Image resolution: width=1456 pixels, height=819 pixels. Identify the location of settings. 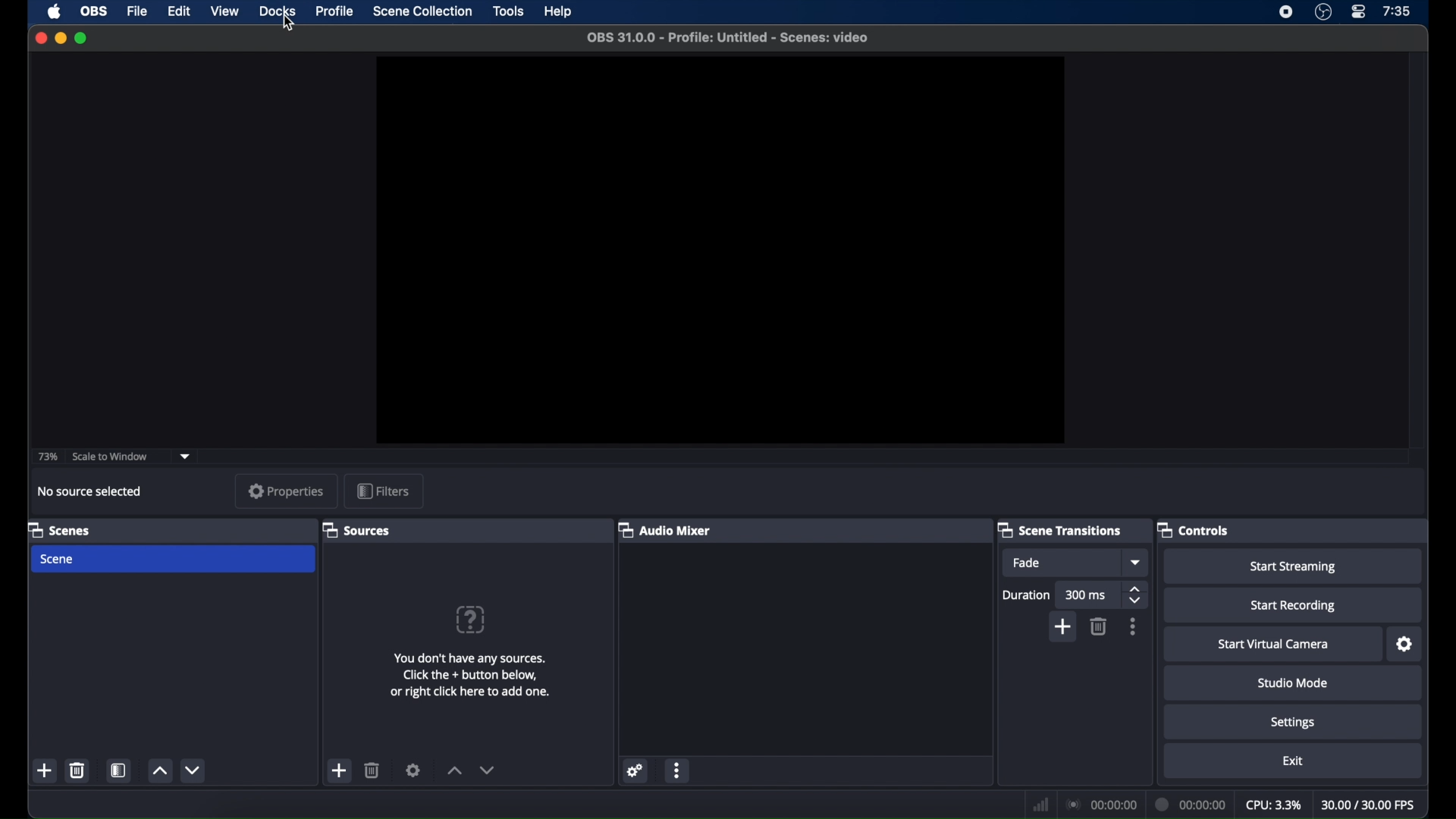
(637, 772).